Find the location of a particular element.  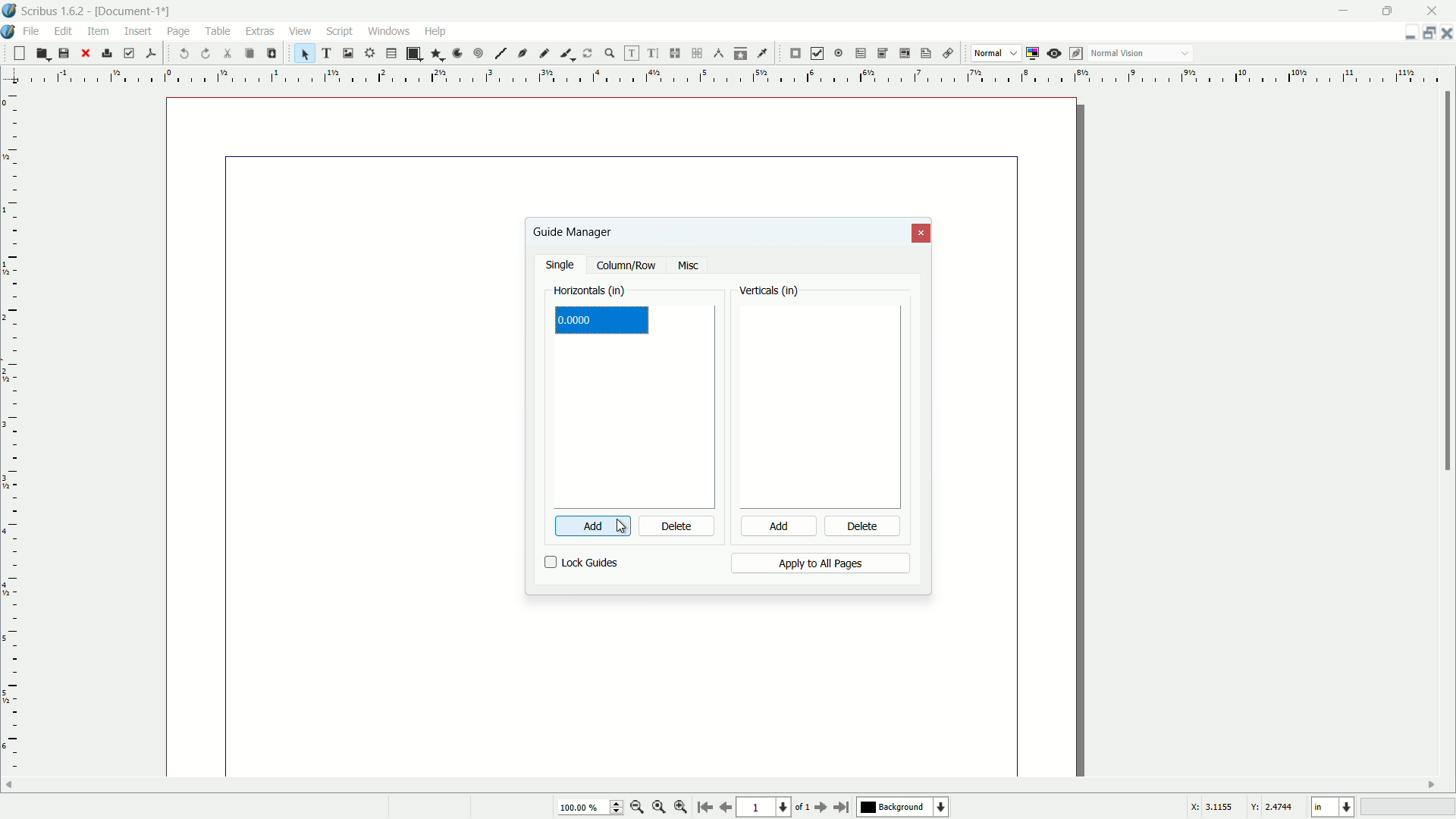

item menu is located at coordinates (99, 30).